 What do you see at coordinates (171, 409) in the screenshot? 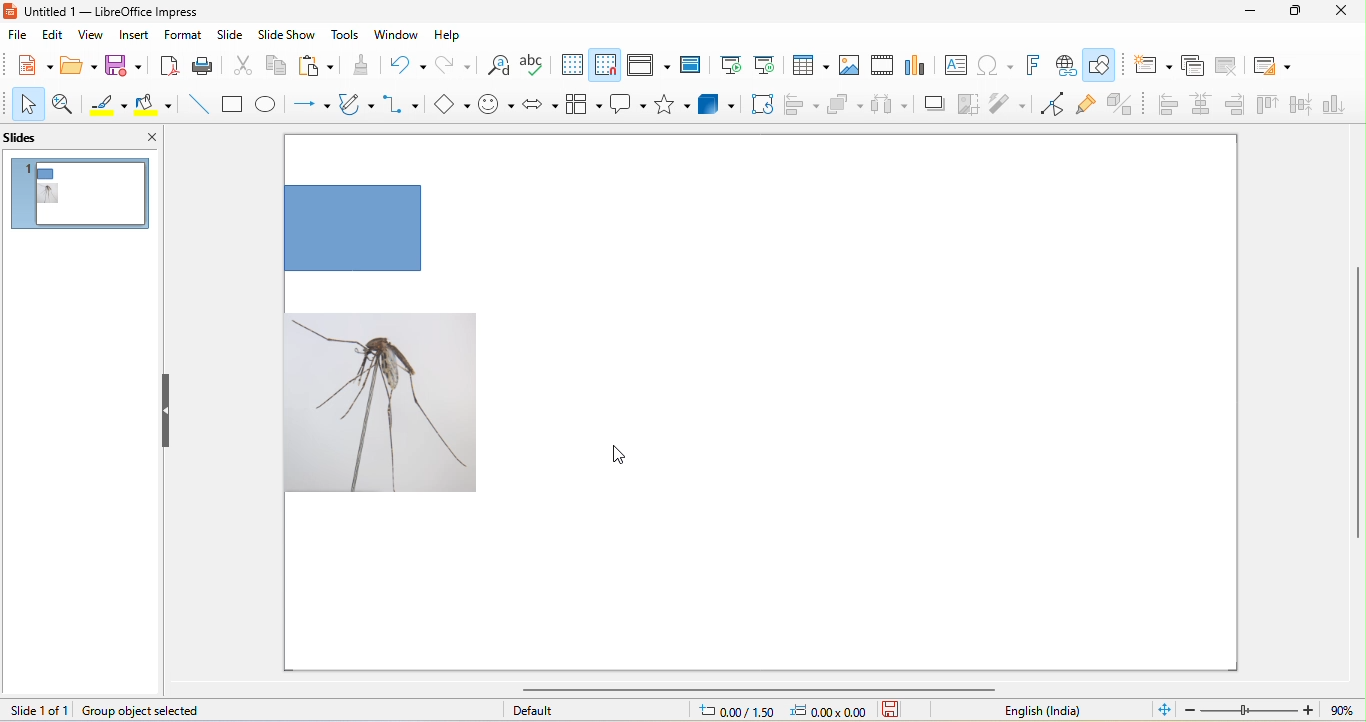
I see `hide` at bounding box center [171, 409].